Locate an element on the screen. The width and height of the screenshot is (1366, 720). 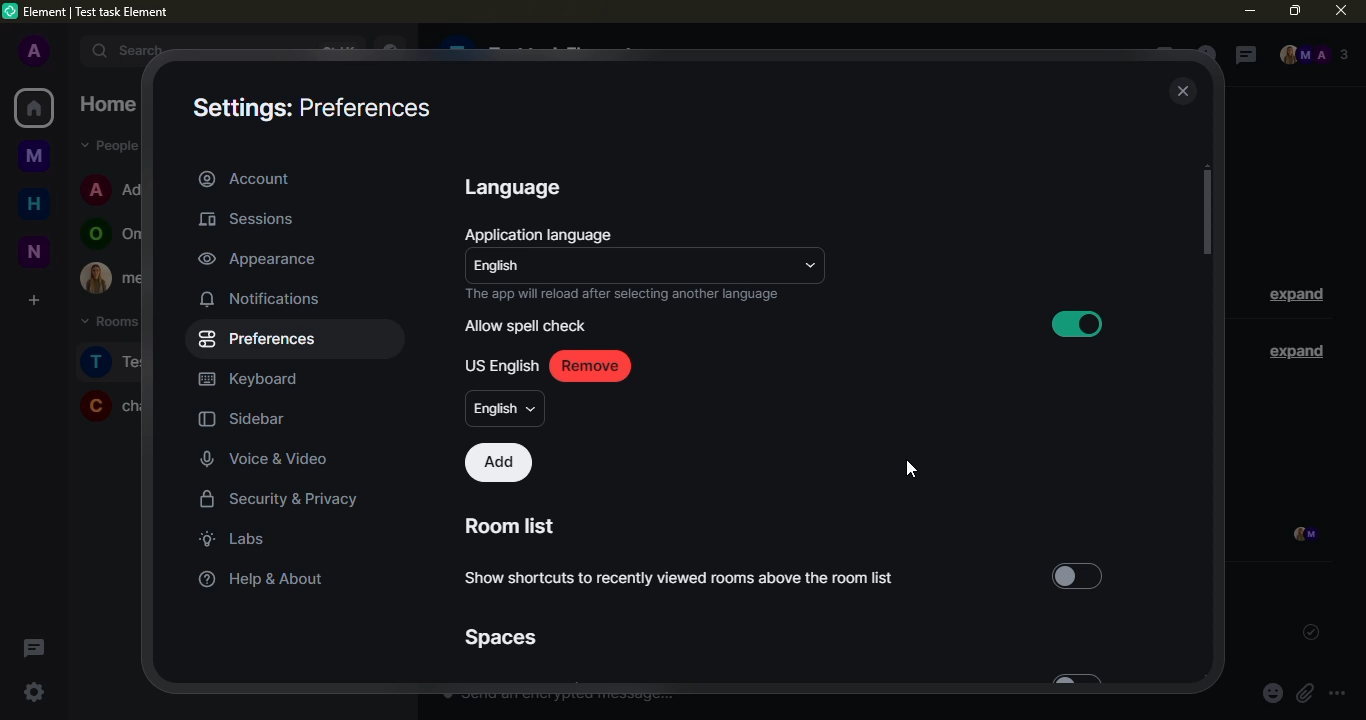
info is located at coordinates (623, 295).